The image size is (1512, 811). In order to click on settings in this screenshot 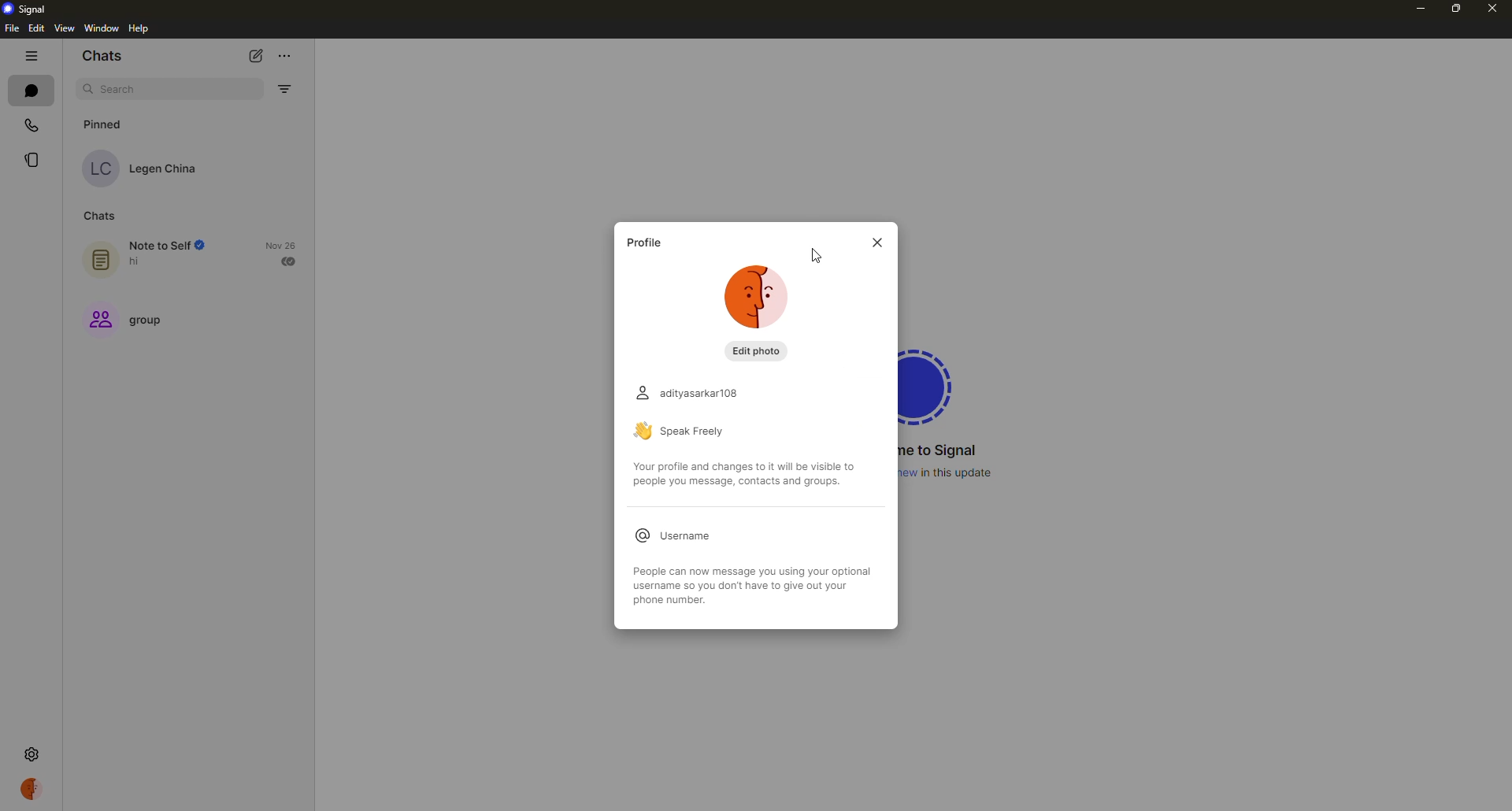, I will do `click(31, 753)`.